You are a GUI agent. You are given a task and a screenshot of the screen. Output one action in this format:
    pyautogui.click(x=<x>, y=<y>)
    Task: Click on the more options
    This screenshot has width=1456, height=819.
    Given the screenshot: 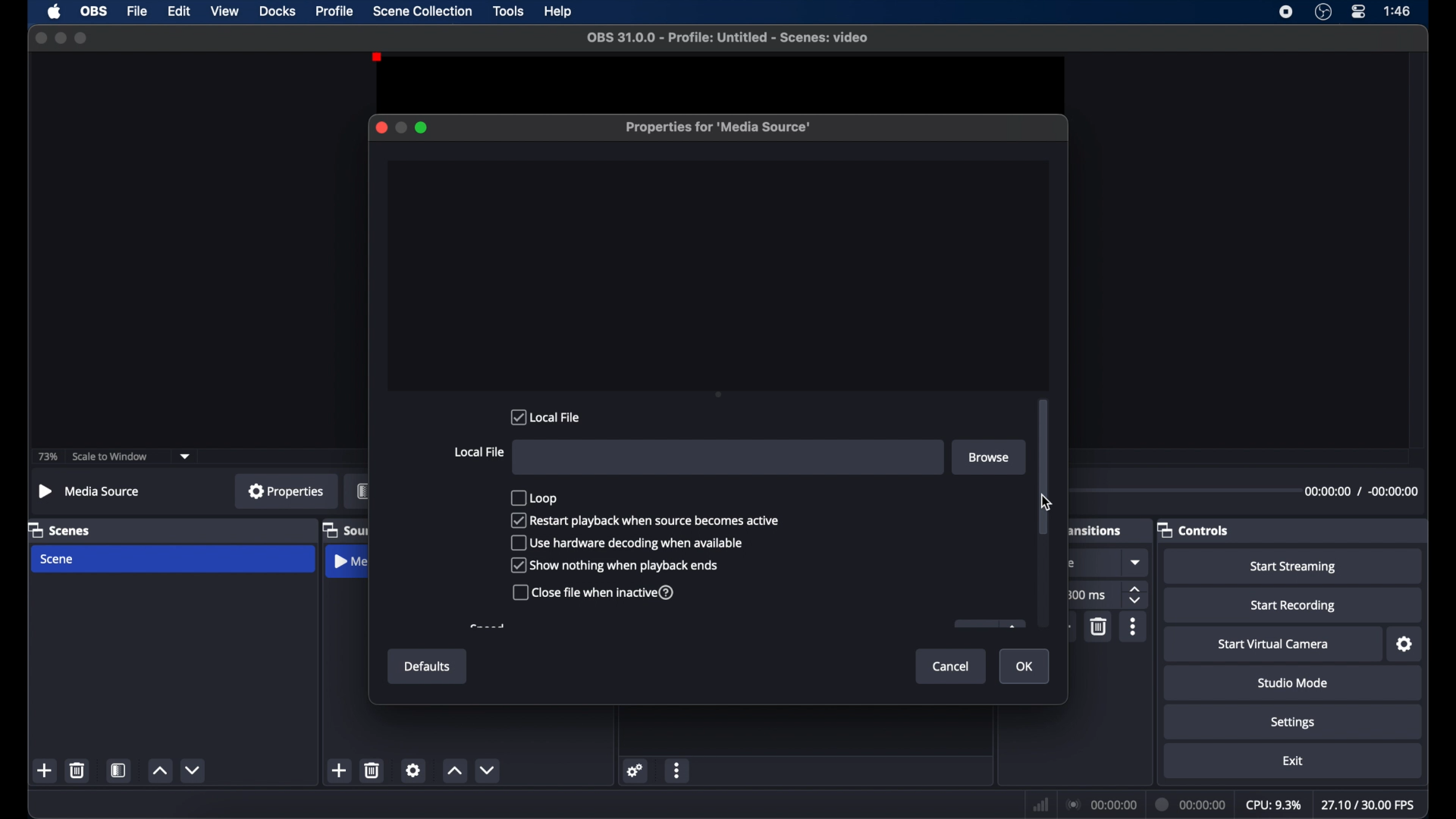 What is the action you would take?
    pyautogui.click(x=1134, y=626)
    